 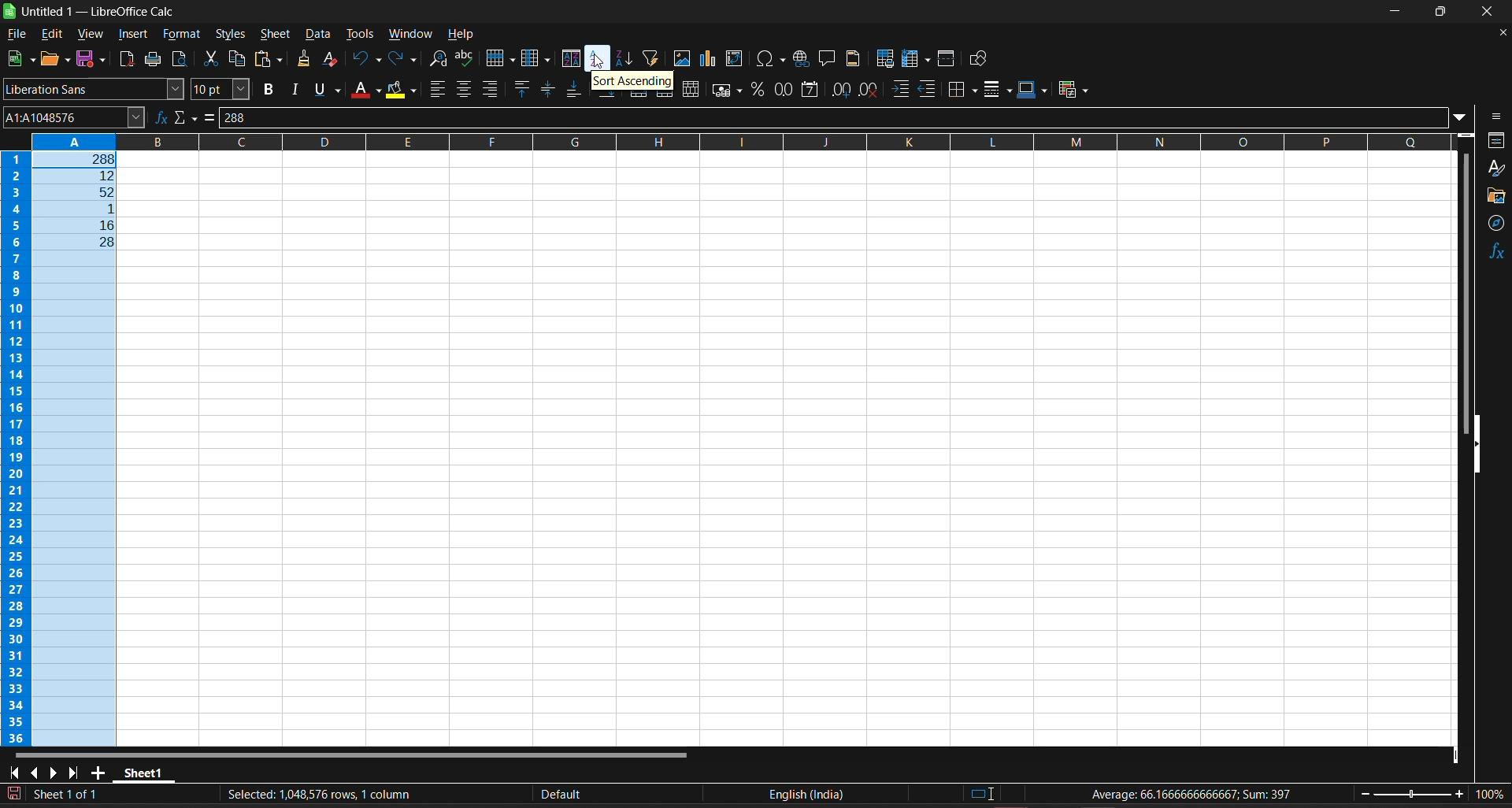 I want to click on split window, so click(x=947, y=59).